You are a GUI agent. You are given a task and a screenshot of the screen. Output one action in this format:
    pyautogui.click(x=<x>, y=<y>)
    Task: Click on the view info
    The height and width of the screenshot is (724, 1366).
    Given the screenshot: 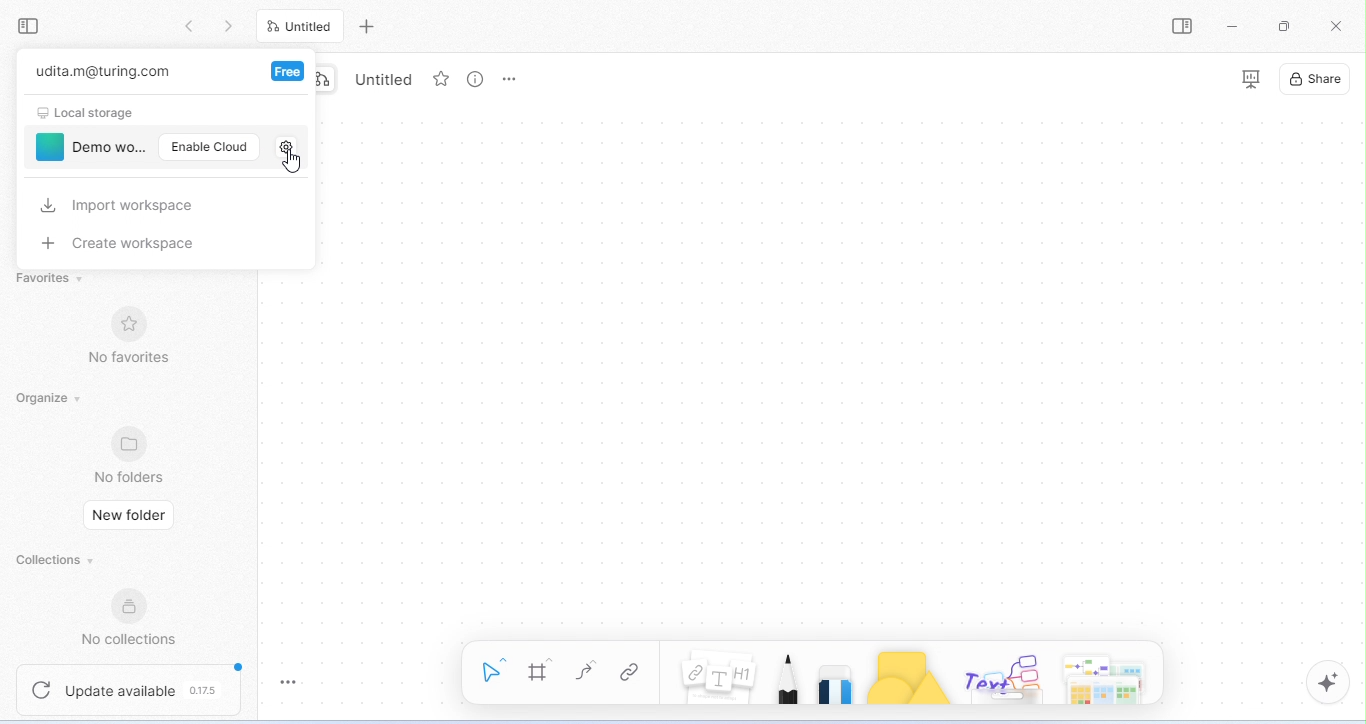 What is the action you would take?
    pyautogui.click(x=480, y=80)
    